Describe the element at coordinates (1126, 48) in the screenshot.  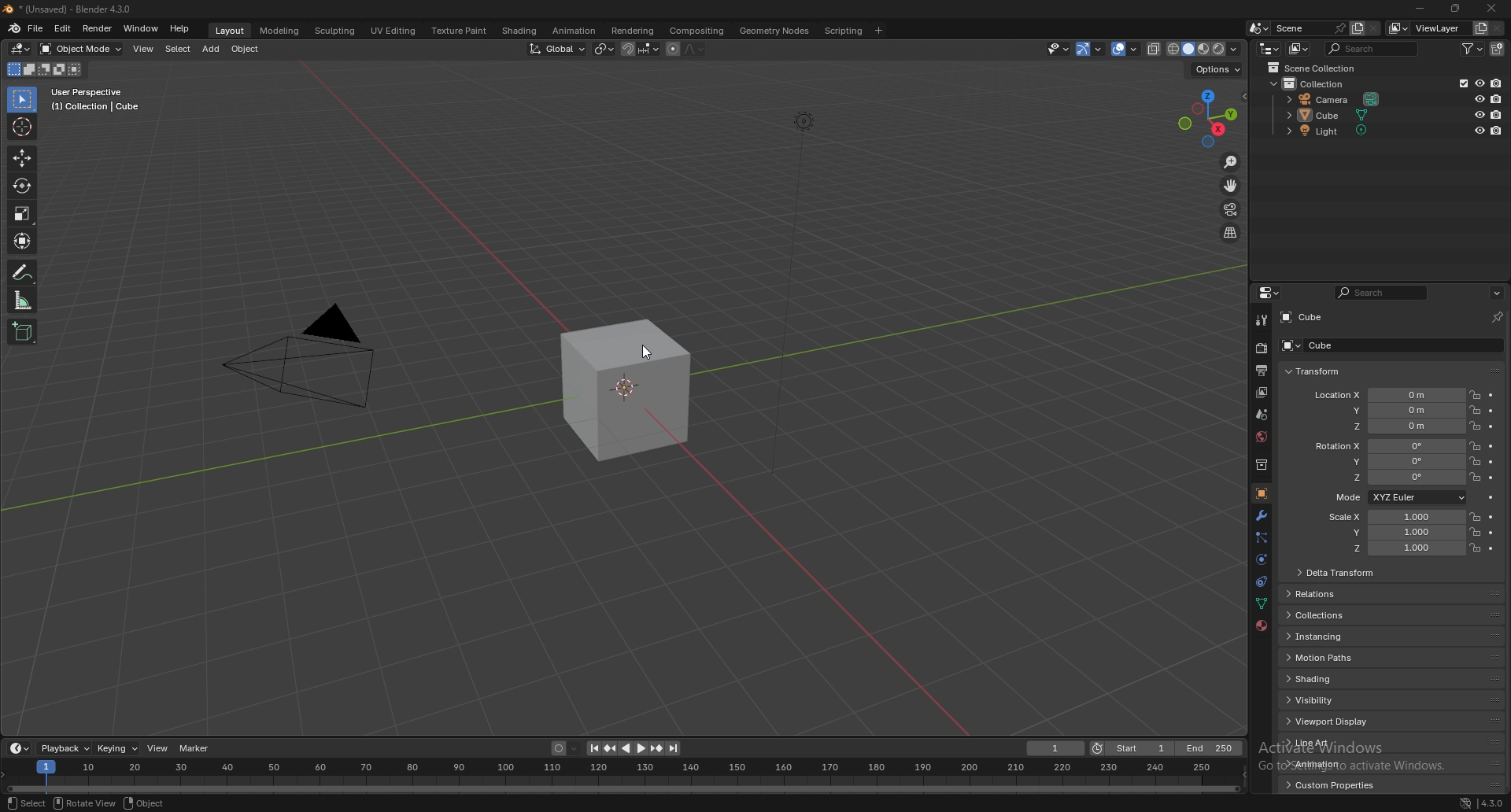
I see `show overlays` at that location.